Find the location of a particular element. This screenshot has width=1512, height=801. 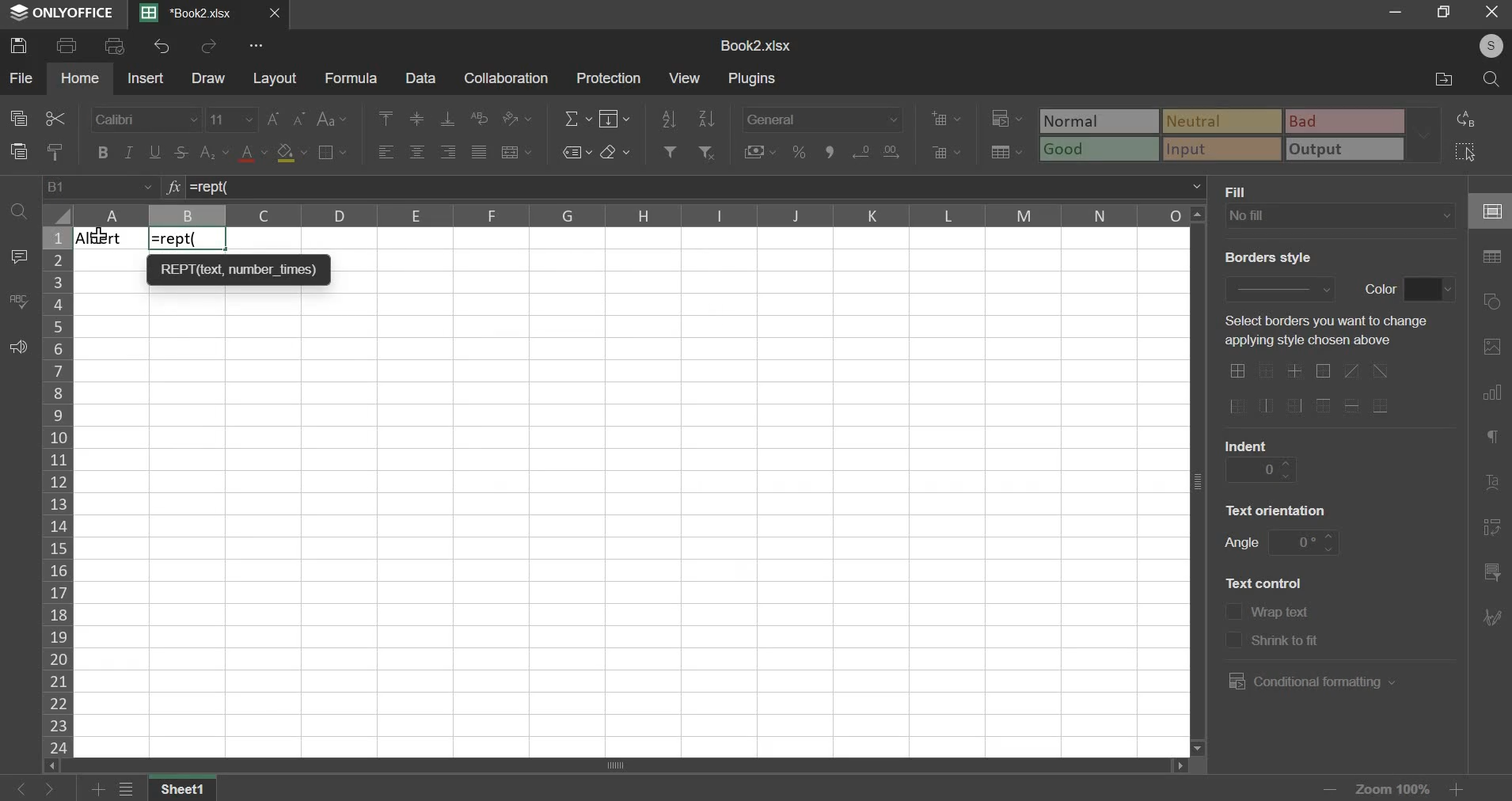

type is located at coordinates (1241, 134).